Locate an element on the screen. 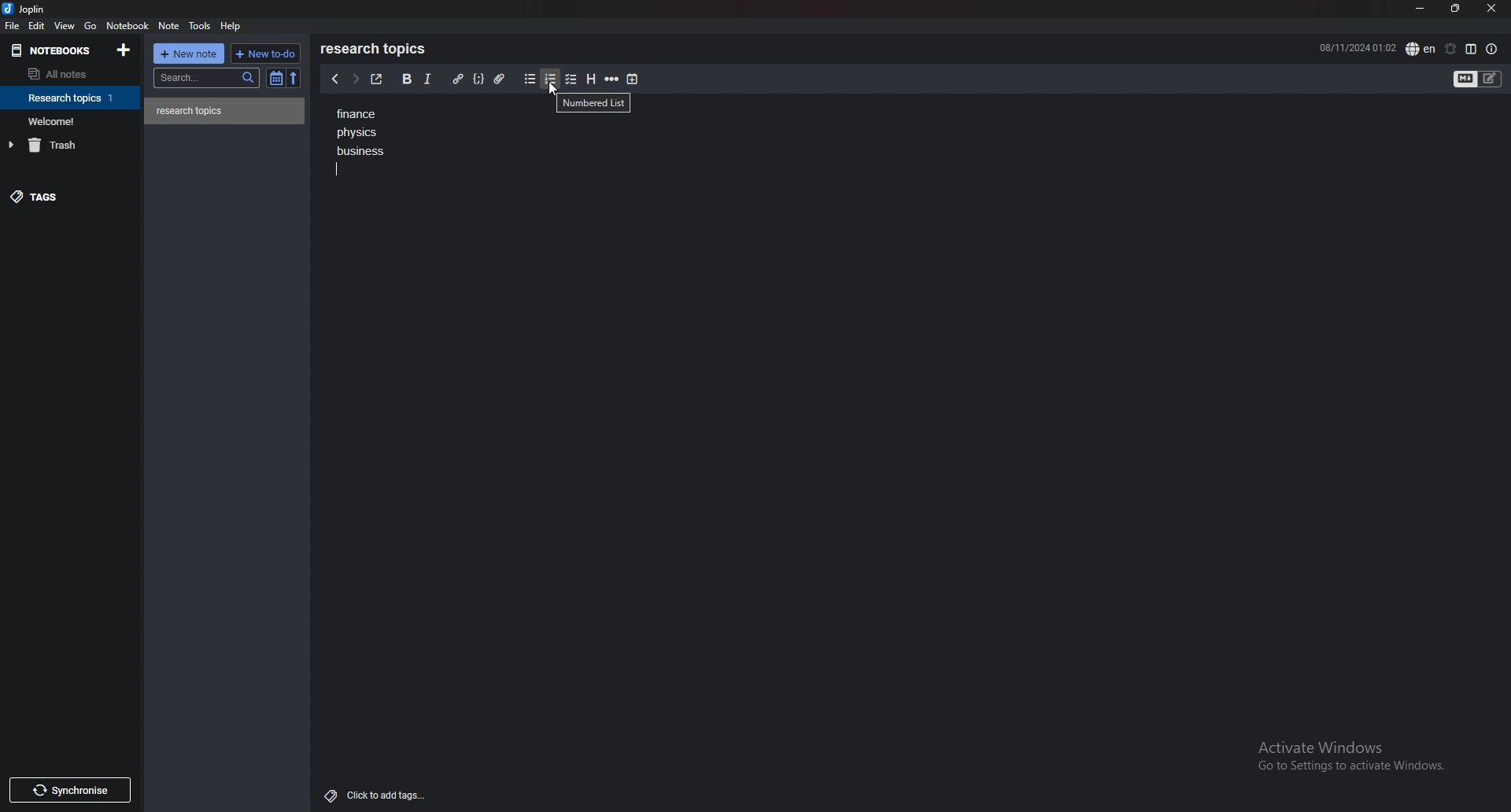 This screenshot has width=1511, height=812. note is located at coordinates (225, 111).